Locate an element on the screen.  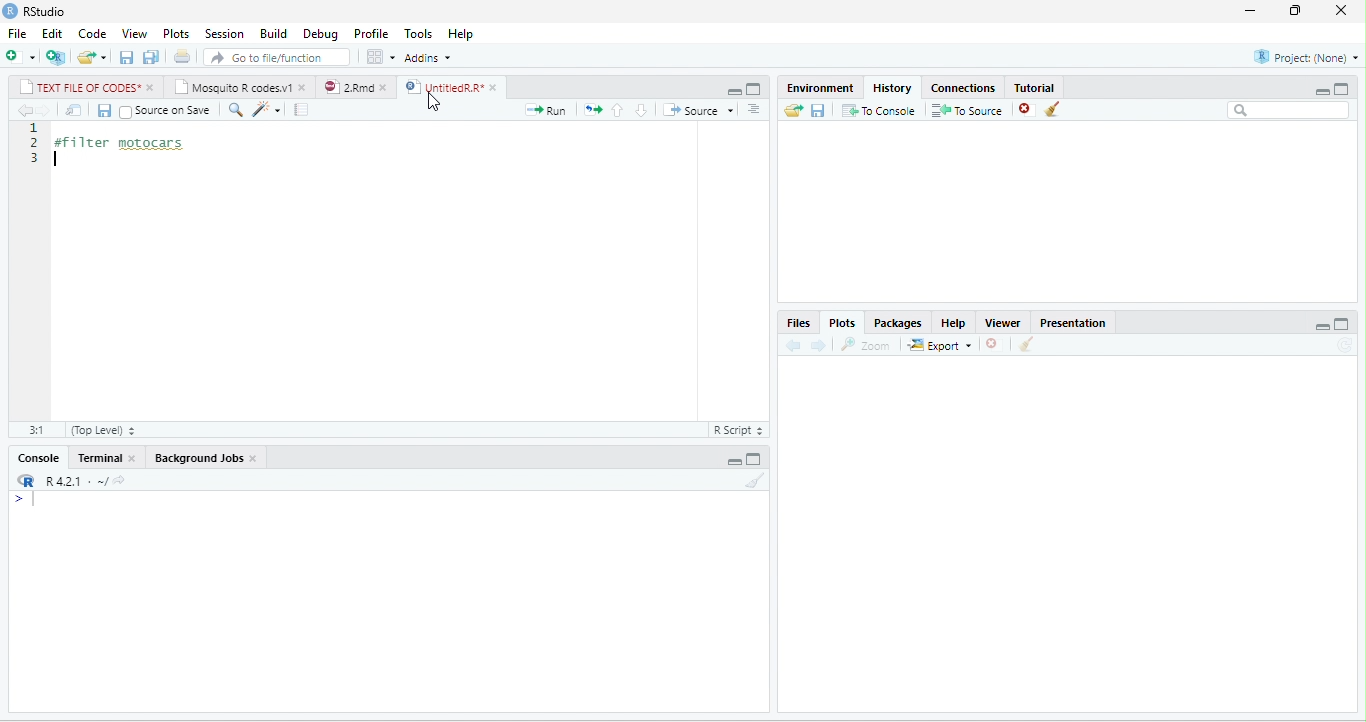
search file is located at coordinates (276, 58).